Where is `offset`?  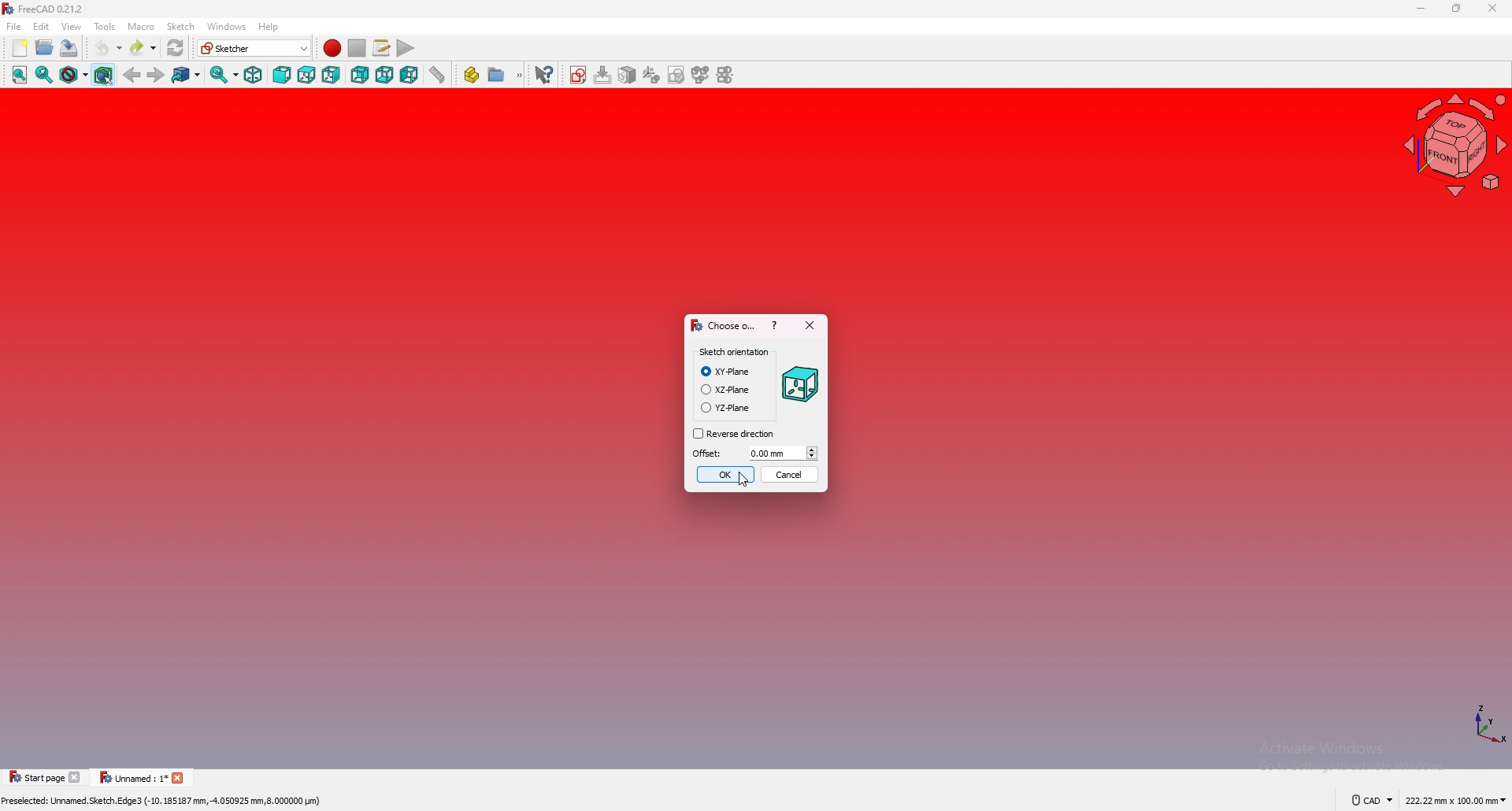 offset is located at coordinates (708, 453).